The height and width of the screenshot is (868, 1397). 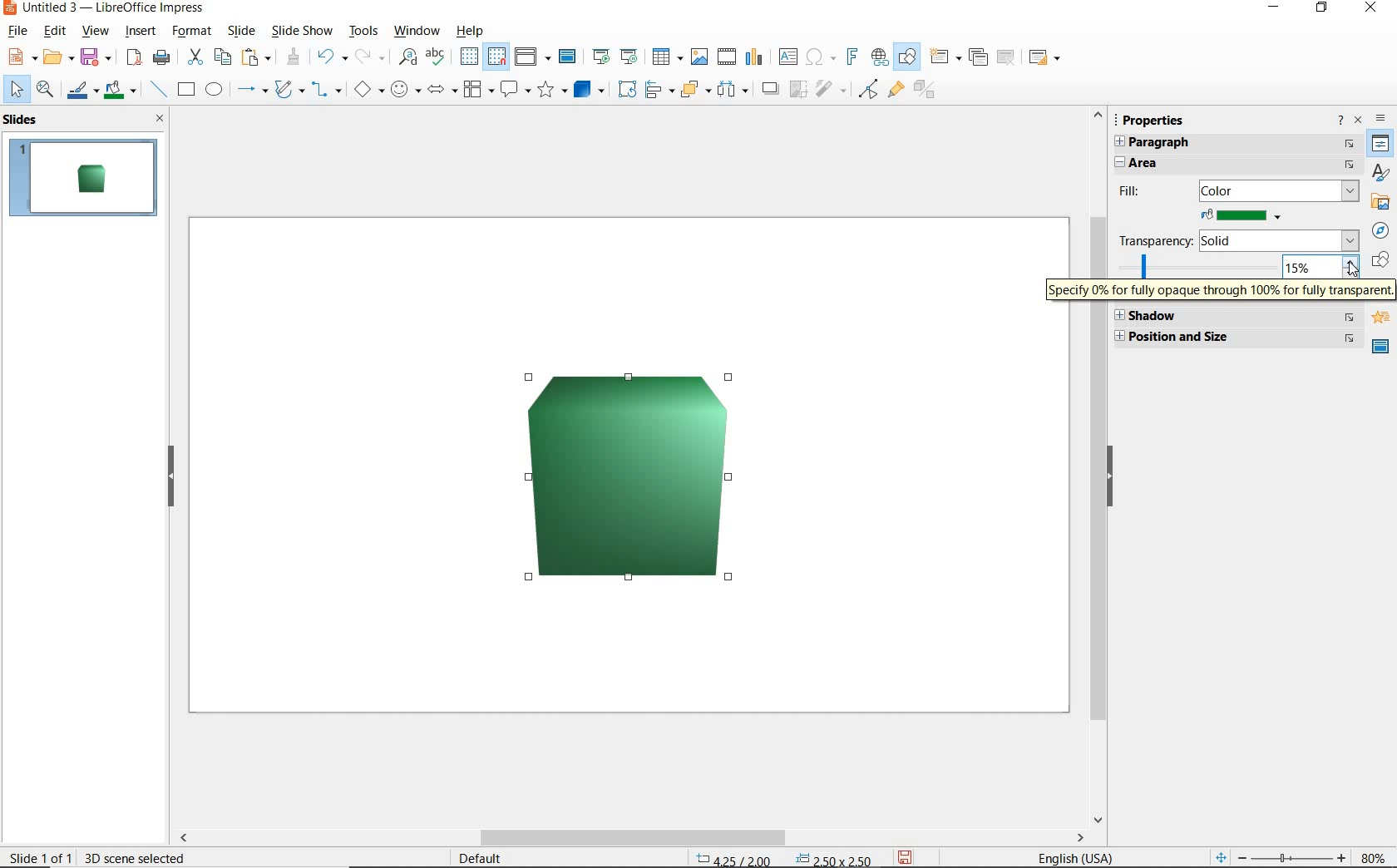 What do you see at coordinates (1277, 7) in the screenshot?
I see `MINIMIZE` at bounding box center [1277, 7].